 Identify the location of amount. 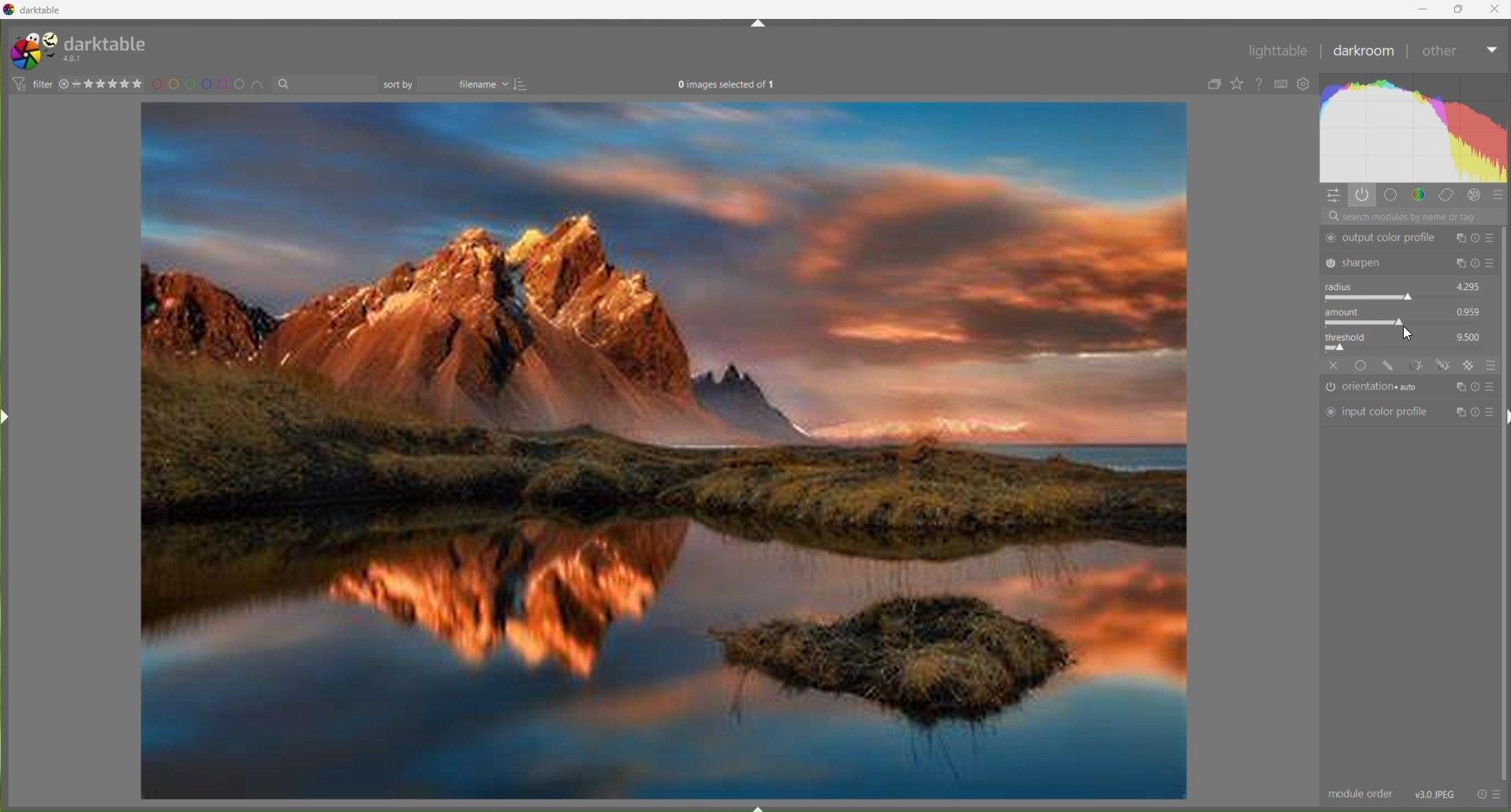
(1347, 311).